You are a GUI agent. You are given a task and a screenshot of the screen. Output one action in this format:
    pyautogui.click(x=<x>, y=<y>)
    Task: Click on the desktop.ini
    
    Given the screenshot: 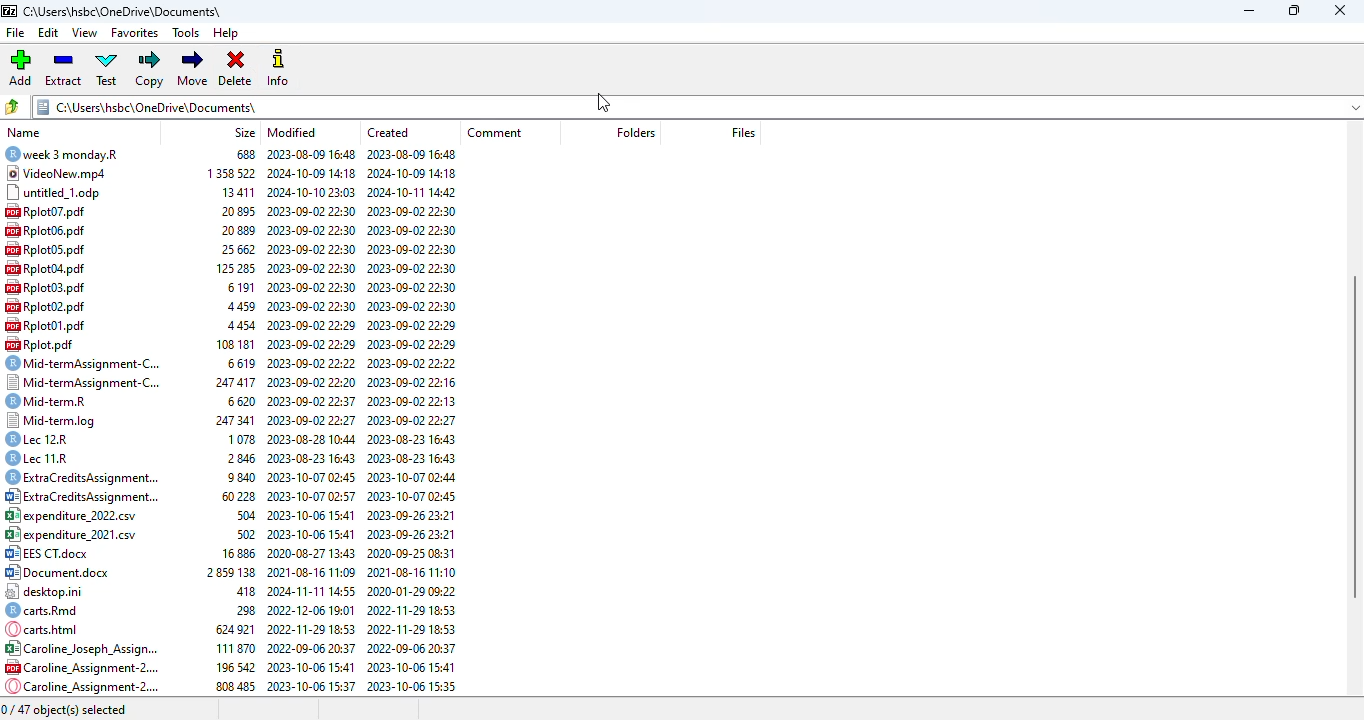 What is the action you would take?
    pyautogui.click(x=49, y=592)
    